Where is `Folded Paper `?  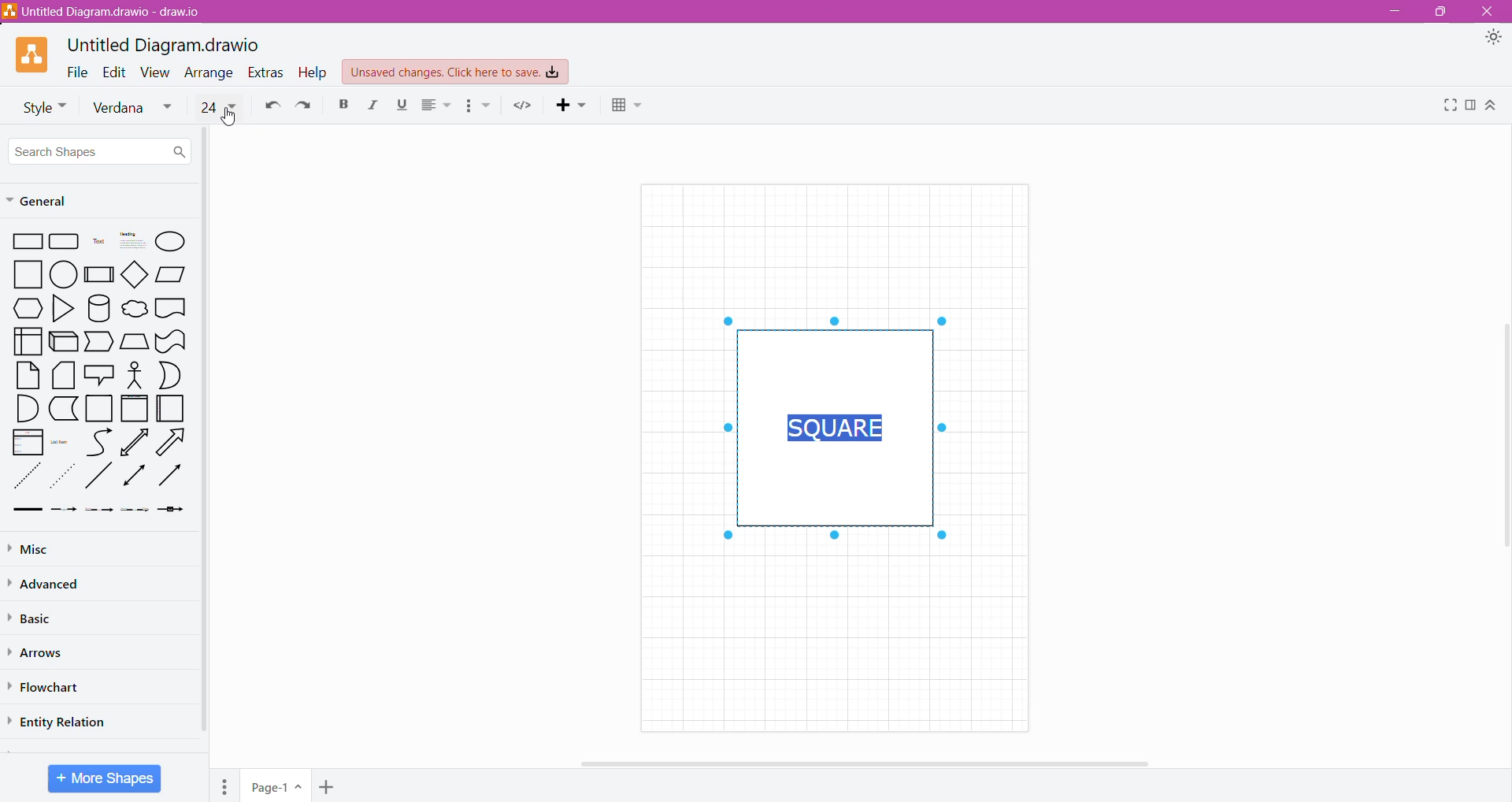
Folded Paper  is located at coordinates (170, 409).